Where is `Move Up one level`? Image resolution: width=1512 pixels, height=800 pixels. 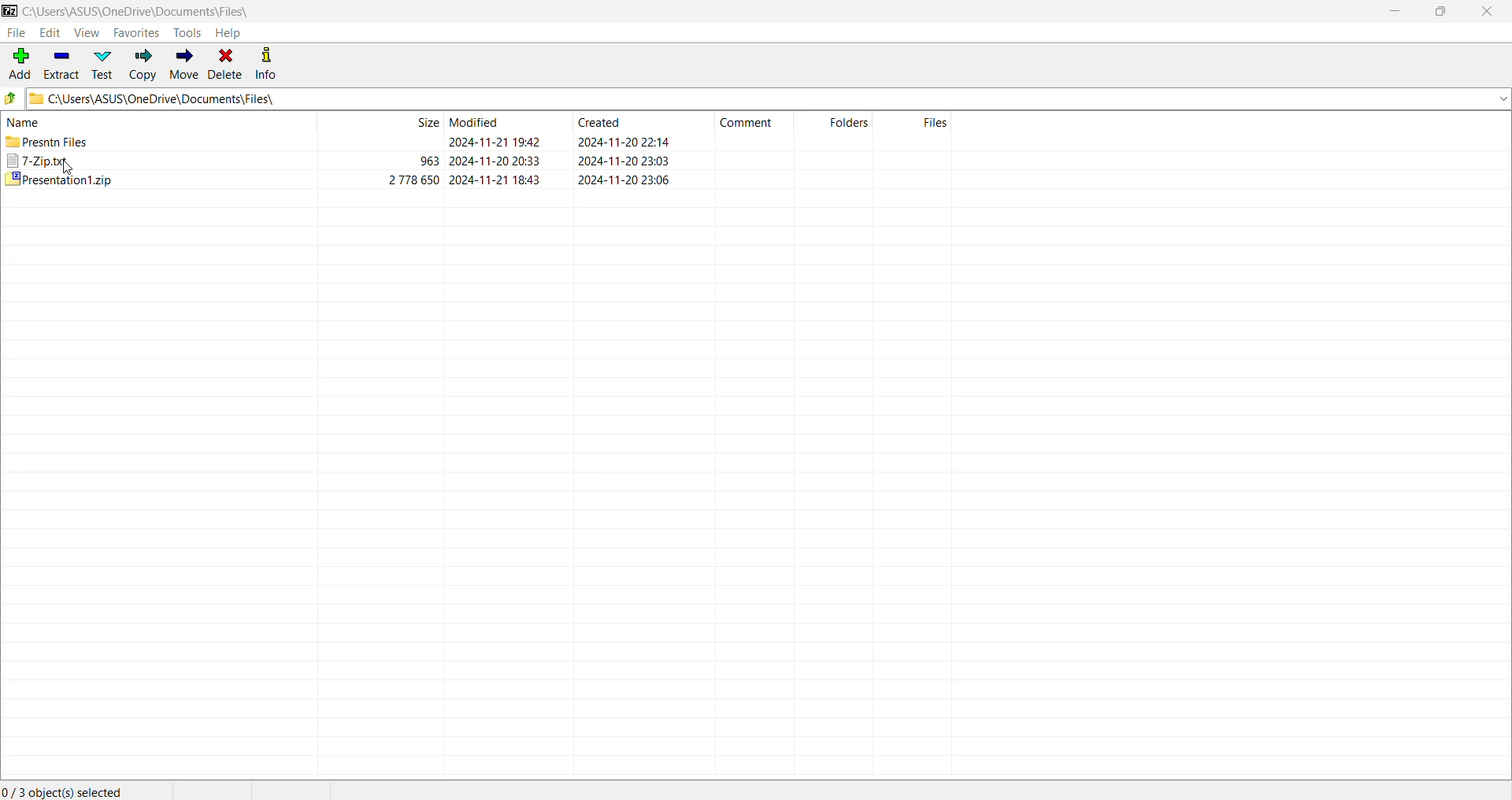
Move Up one level is located at coordinates (11, 99).